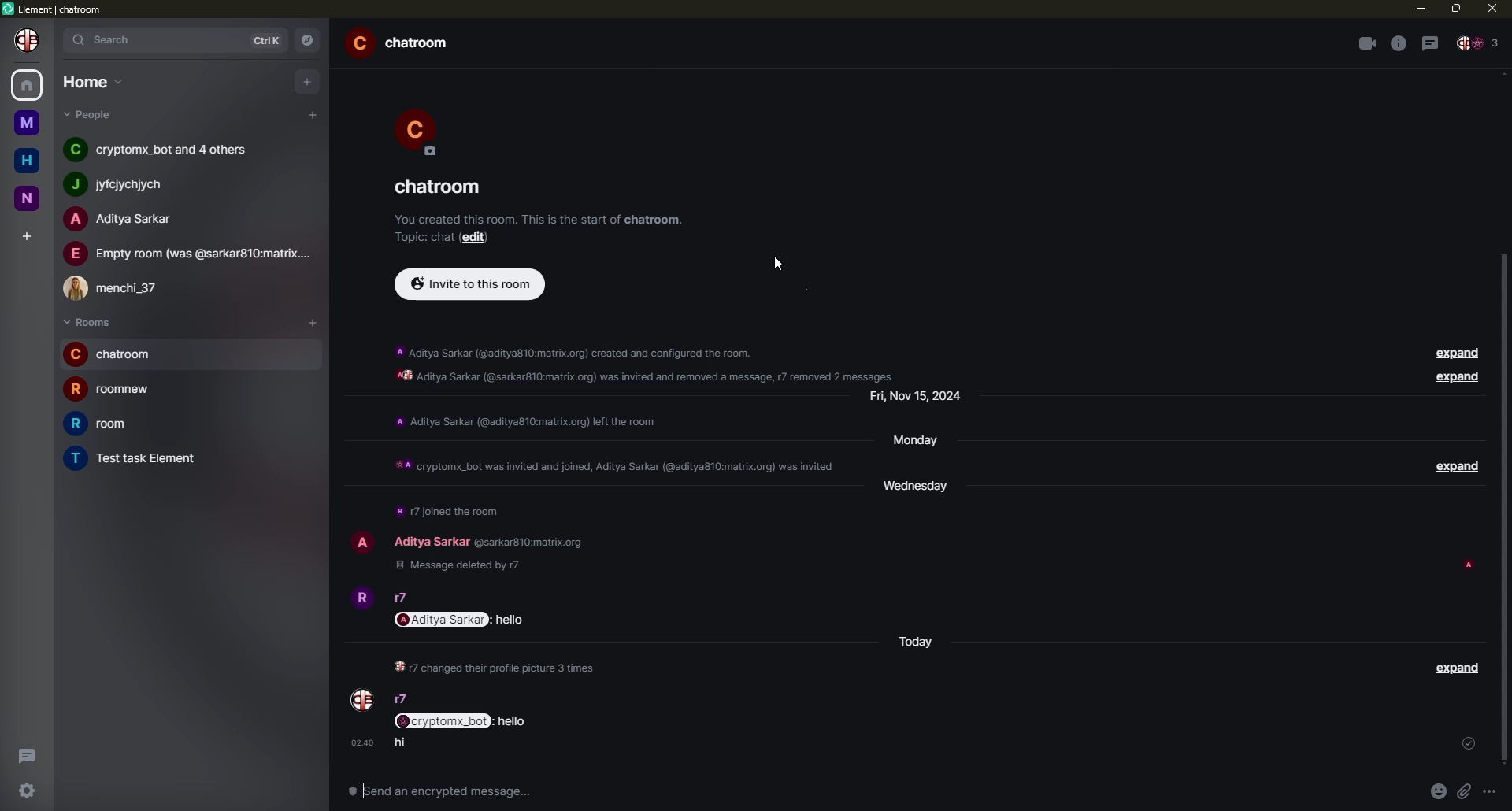 The width and height of the screenshot is (1512, 811). I want to click on profile, so click(360, 602).